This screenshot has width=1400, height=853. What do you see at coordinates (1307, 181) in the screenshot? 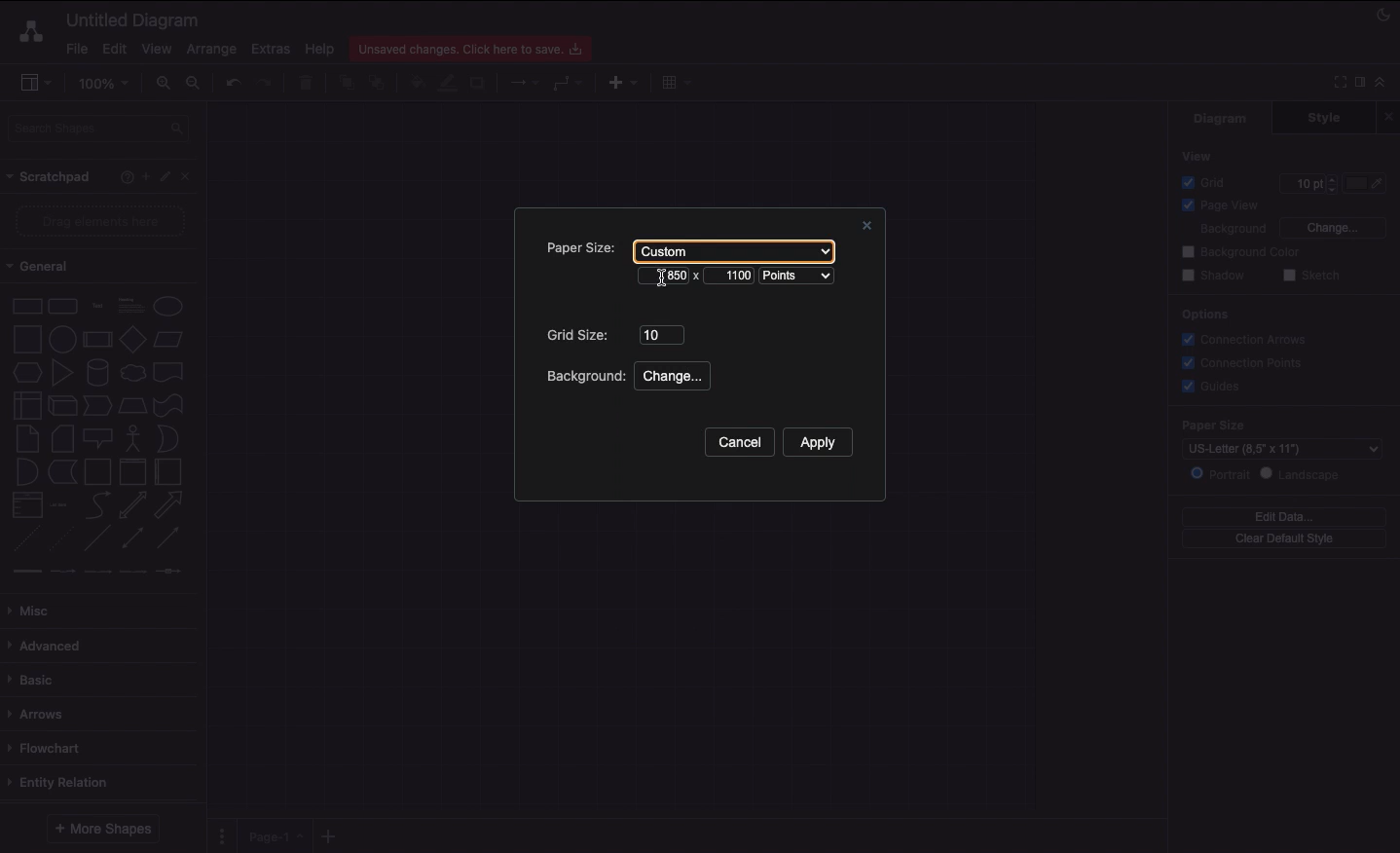
I see `10 pt` at bounding box center [1307, 181].